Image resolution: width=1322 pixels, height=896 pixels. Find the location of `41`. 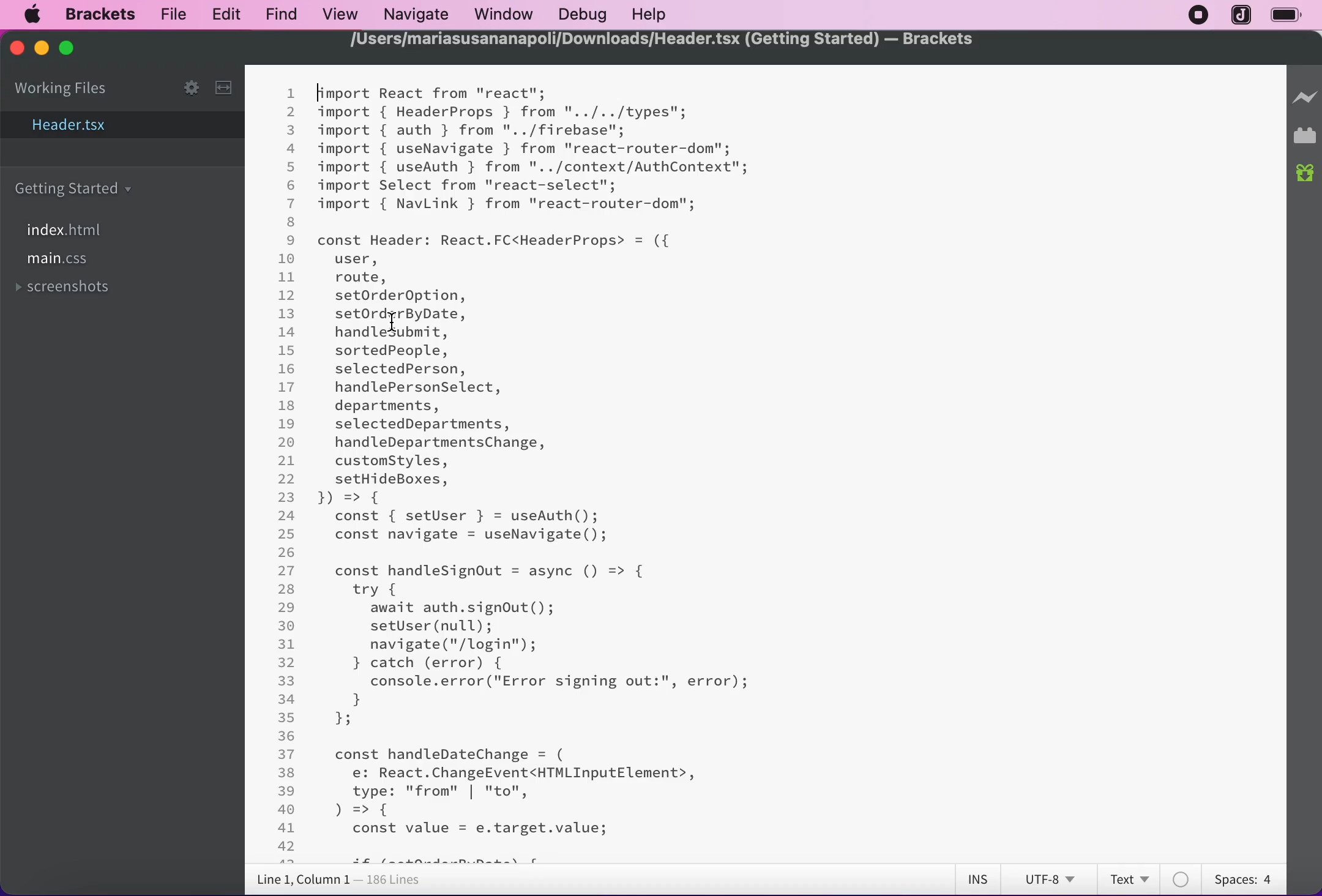

41 is located at coordinates (286, 828).